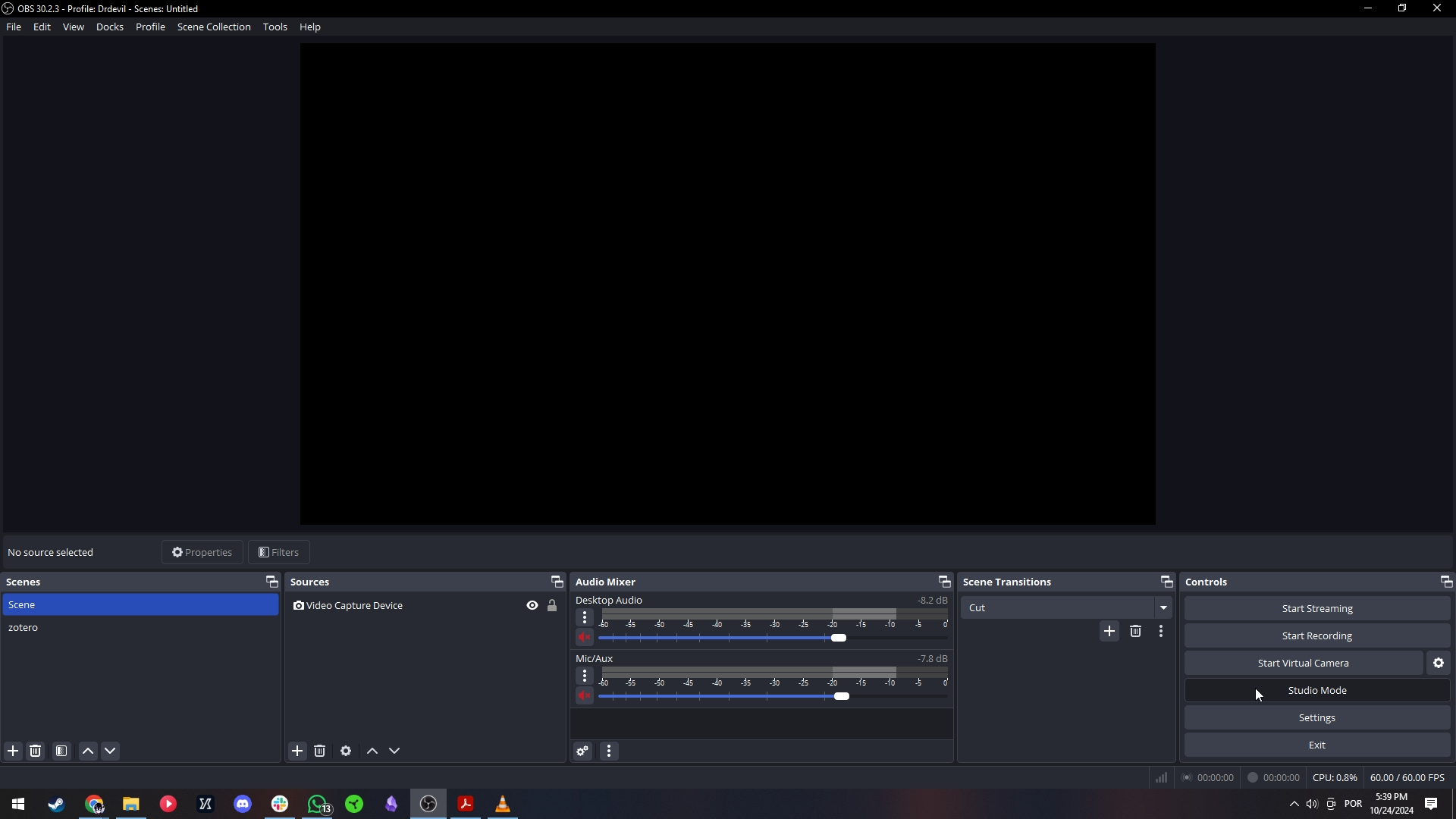 The width and height of the screenshot is (1456, 819). I want to click on Fps, so click(1408, 777).